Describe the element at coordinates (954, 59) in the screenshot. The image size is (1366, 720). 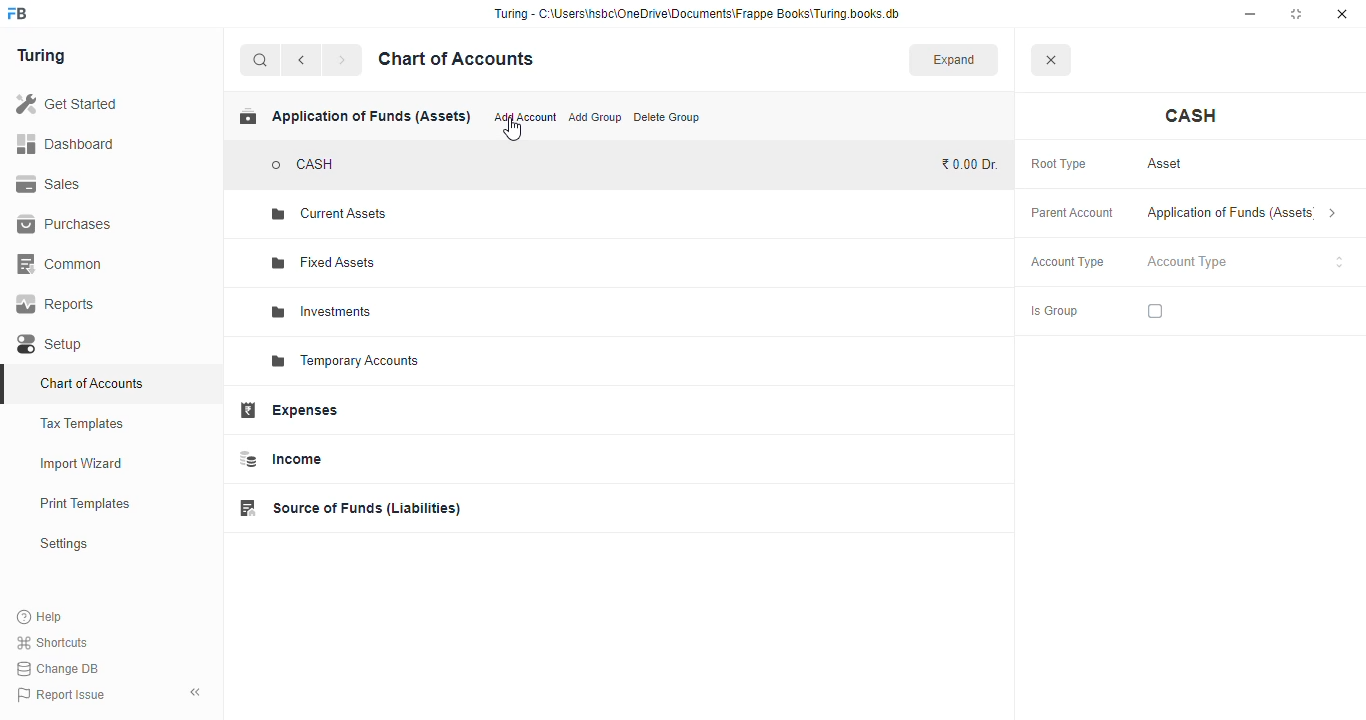
I see `expand` at that location.